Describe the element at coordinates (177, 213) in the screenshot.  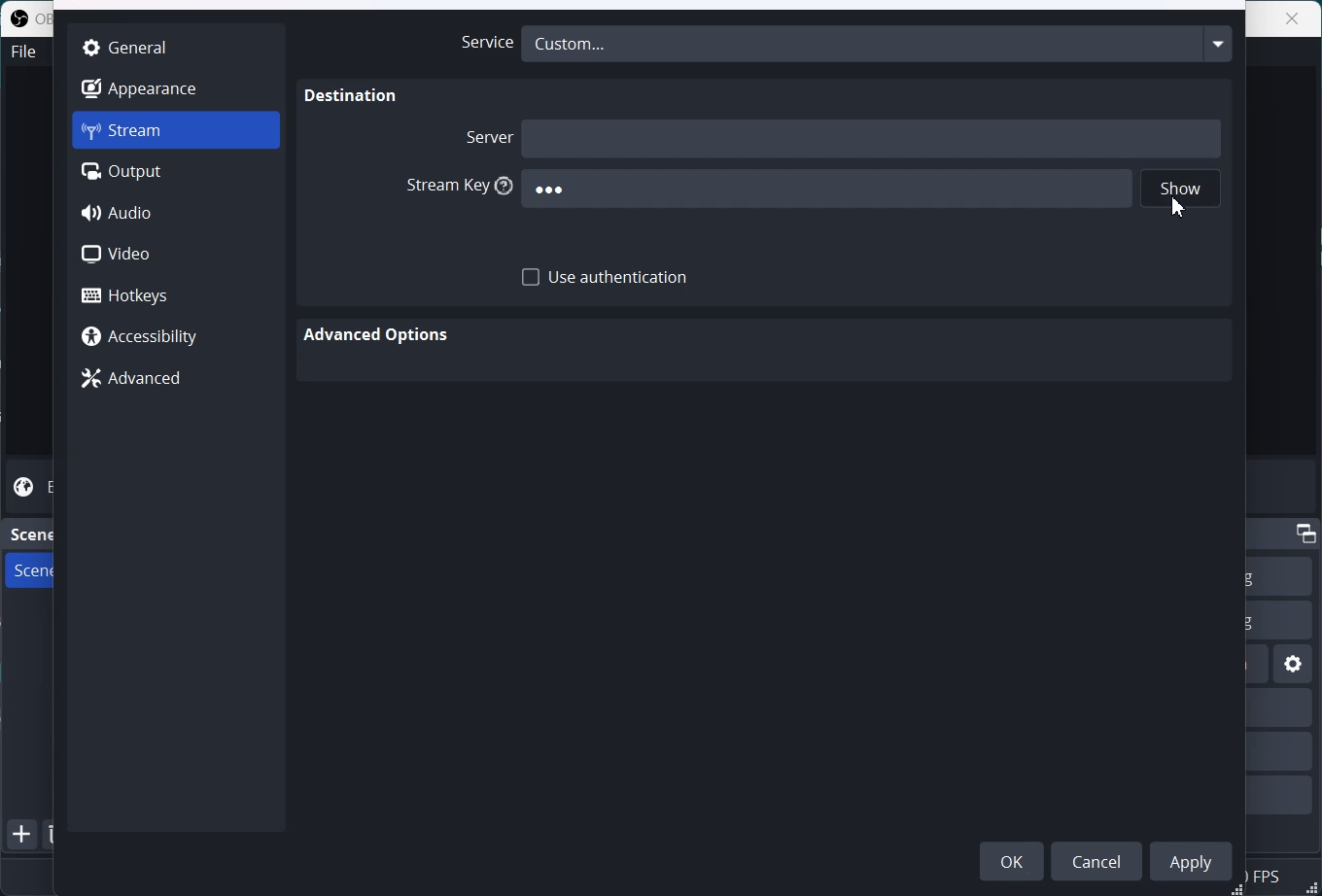
I see `Audio` at that location.